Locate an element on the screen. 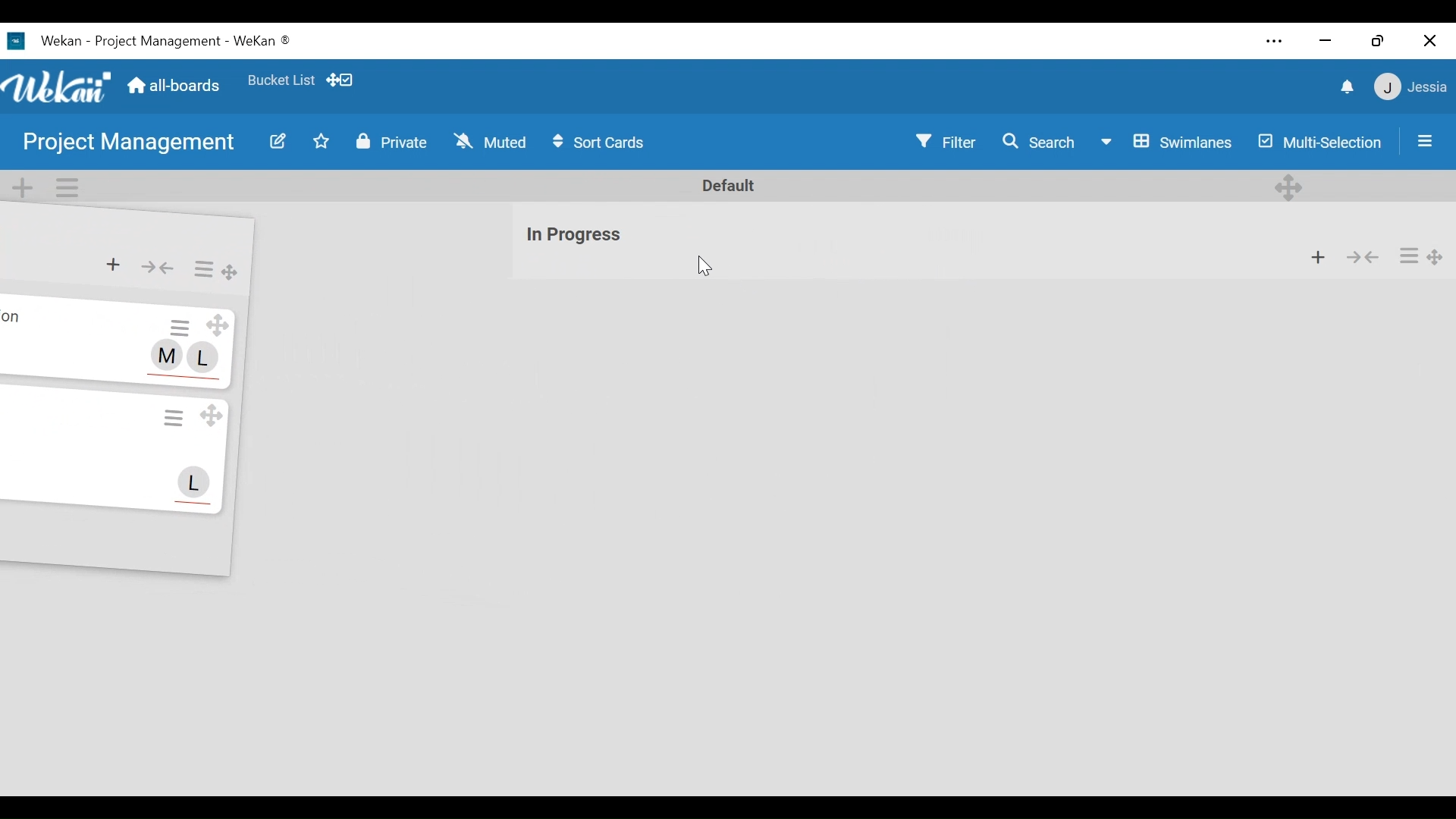 This screenshot has height=819, width=1456. L is located at coordinates (204, 357).